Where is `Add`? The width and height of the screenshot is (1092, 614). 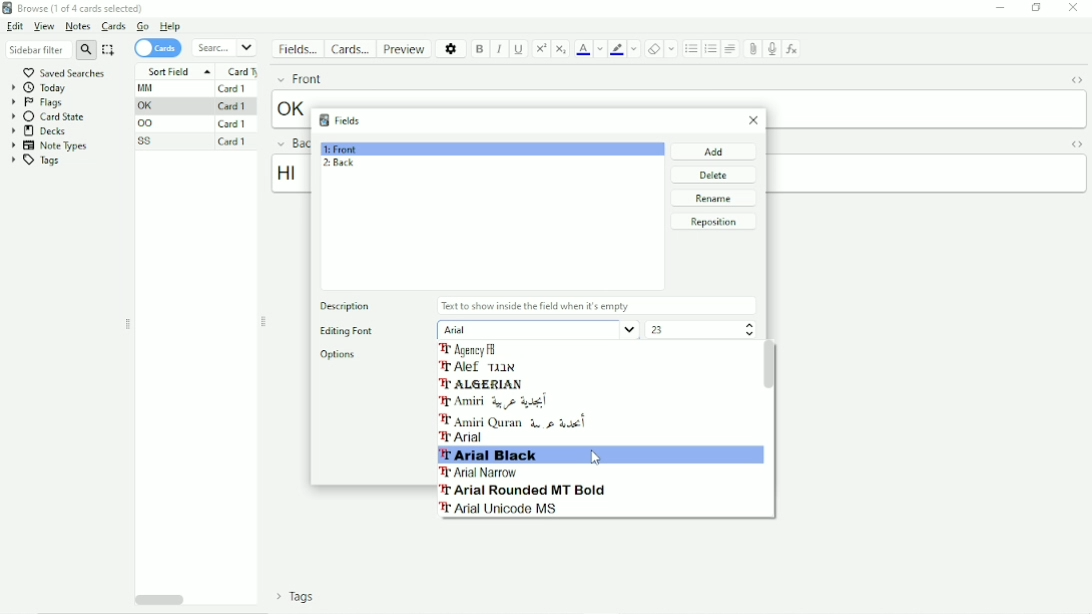
Add is located at coordinates (713, 151).